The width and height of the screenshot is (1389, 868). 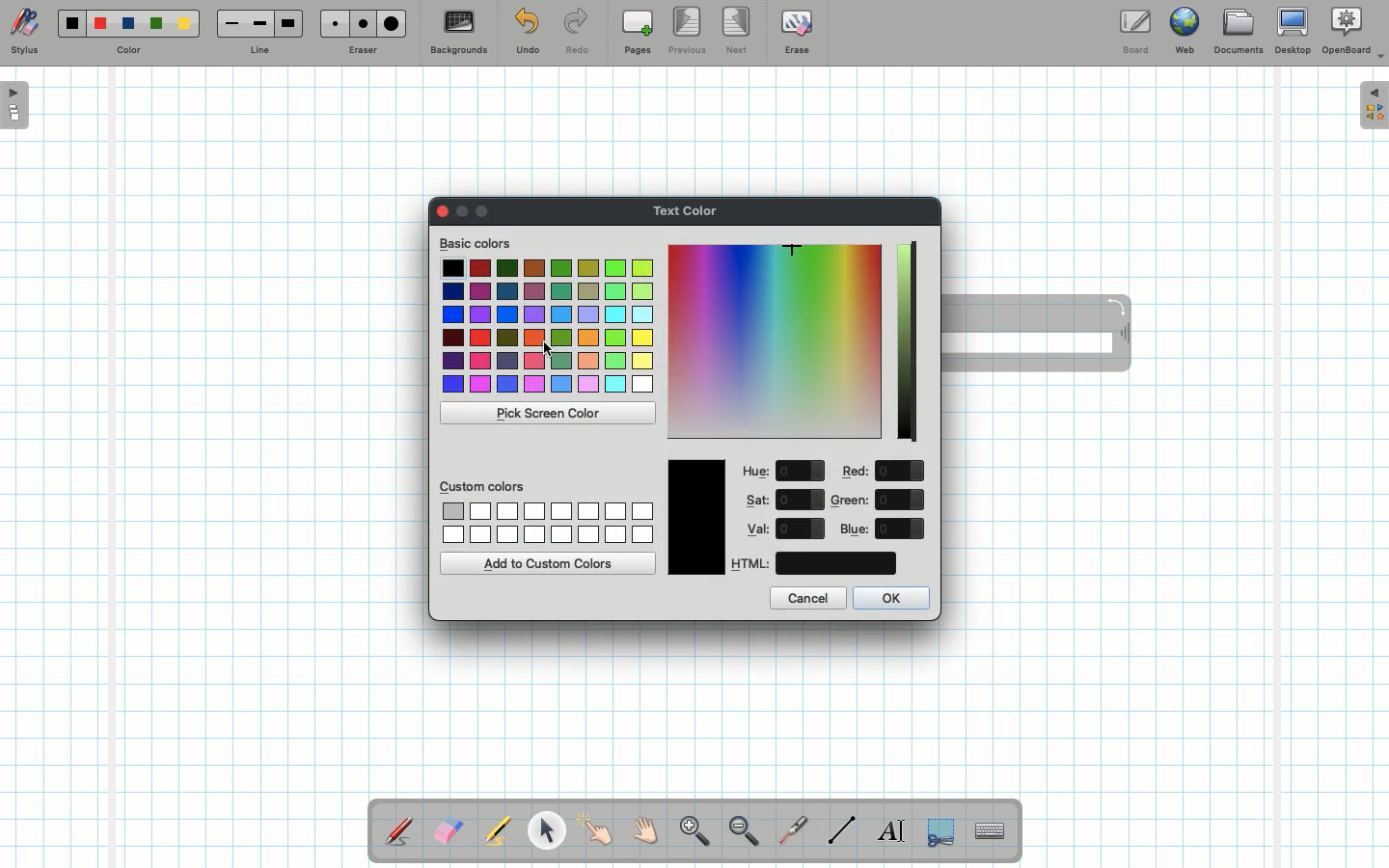 I want to click on Expand, so click(x=1374, y=105).